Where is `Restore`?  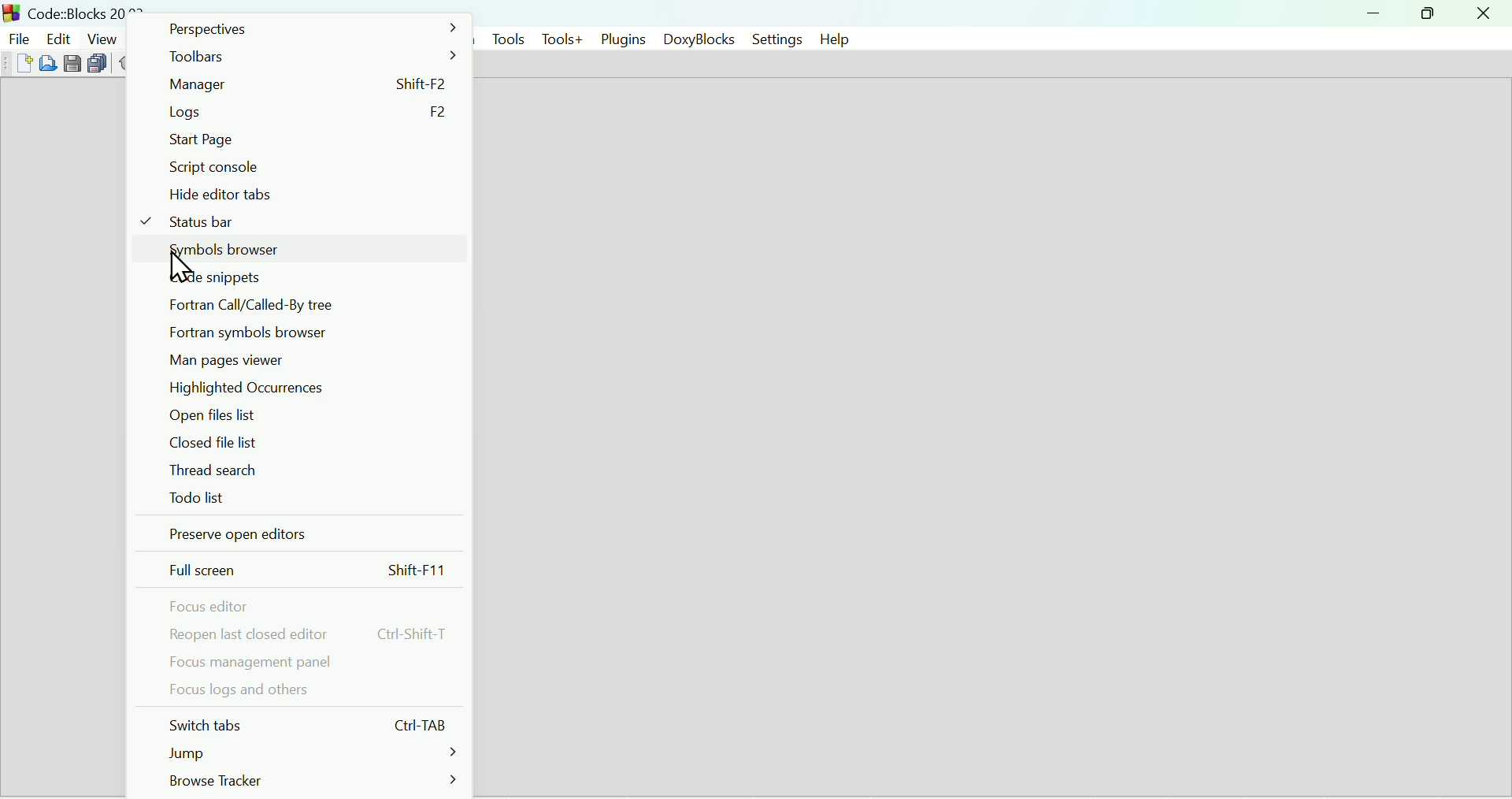
Restore is located at coordinates (1423, 13).